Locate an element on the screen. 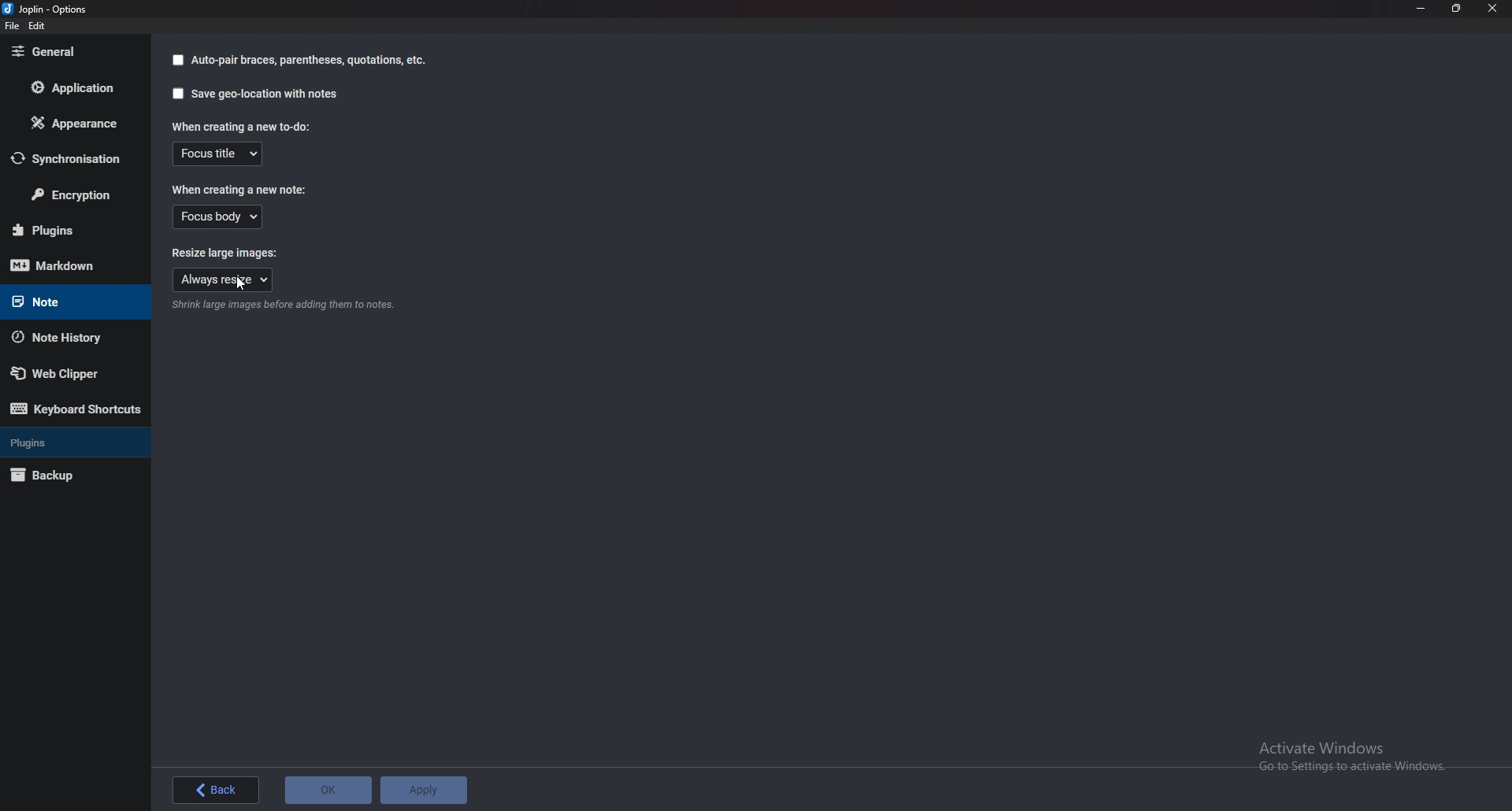 Image resolution: width=1512 pixels, height=811 pixels. When creating a new note is located at coordinates (238, 191).